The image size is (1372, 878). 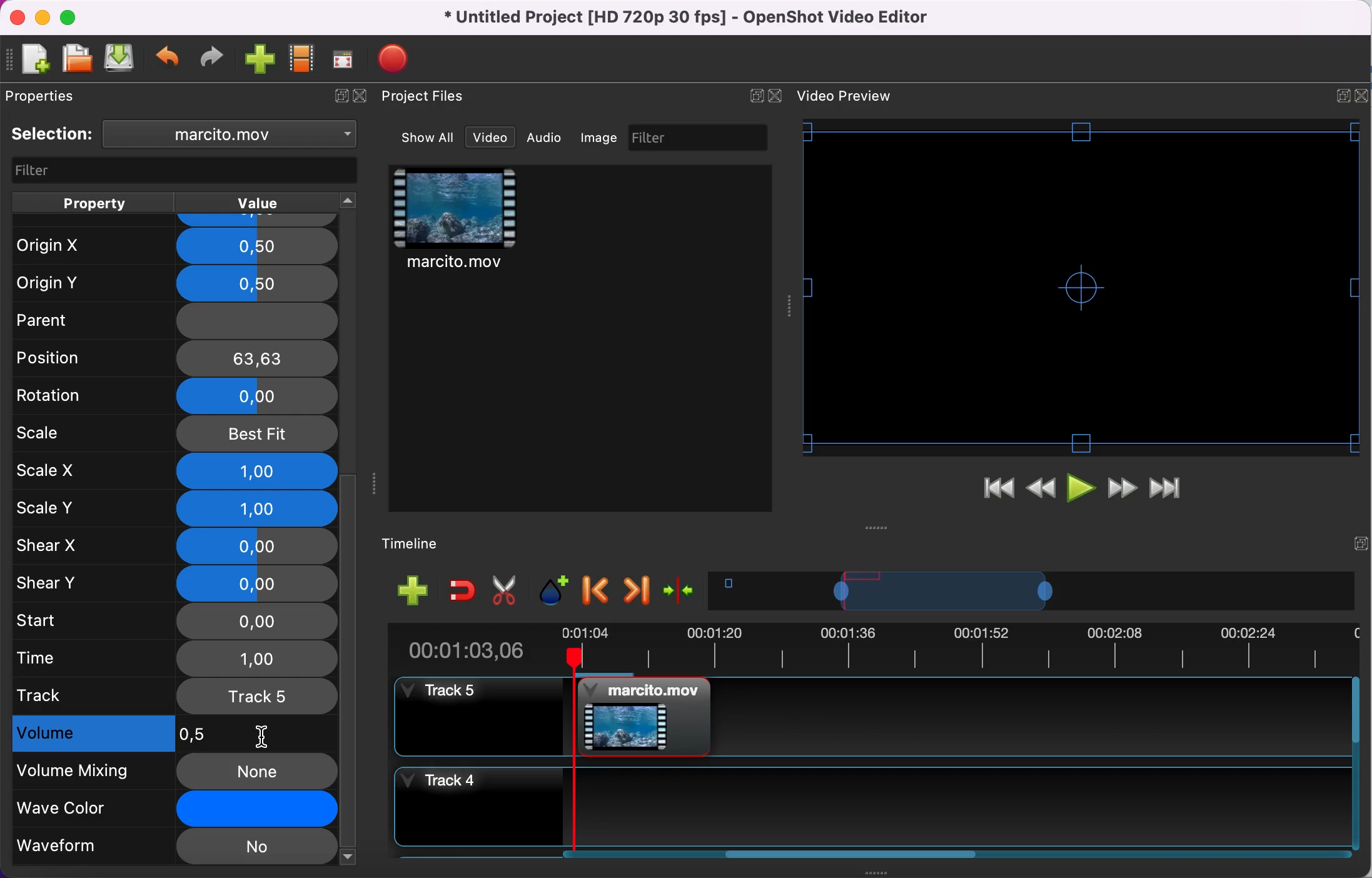 I want to click on Close, so click(x=774, y=96).